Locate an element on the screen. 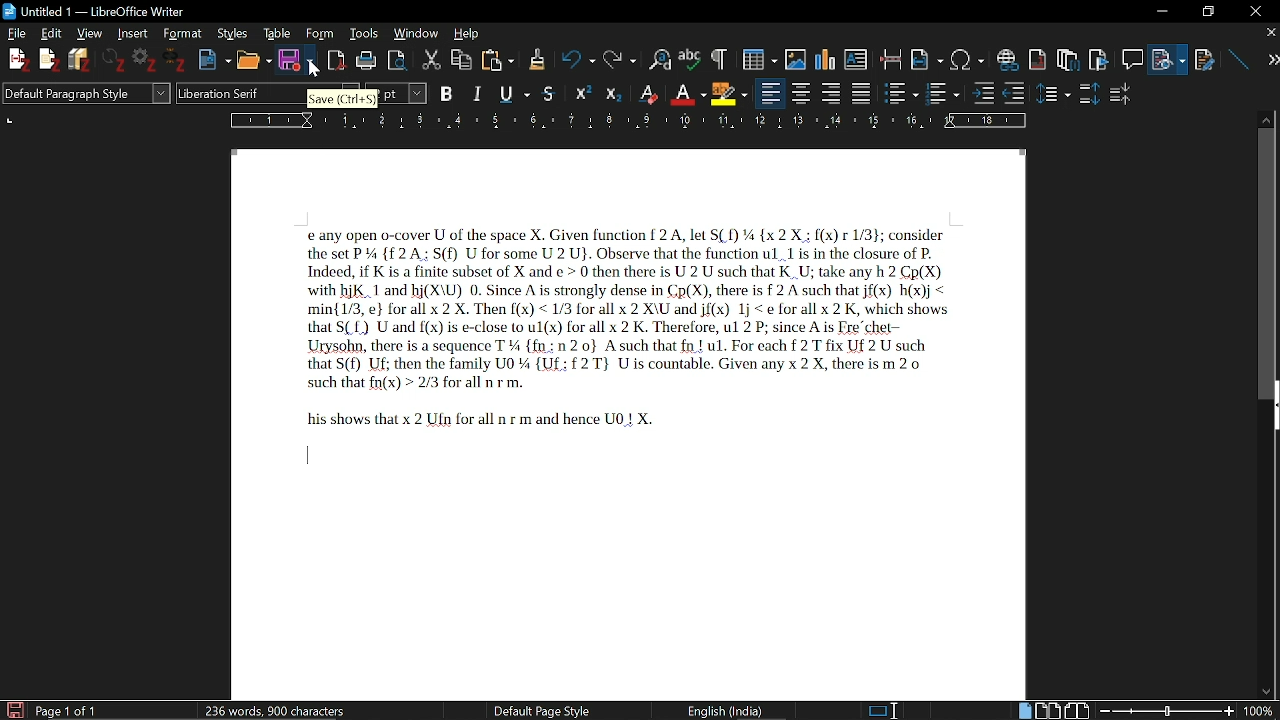 This screenshot has width=1280, height=720. Insert symbol is located at coordinates (968, 58).